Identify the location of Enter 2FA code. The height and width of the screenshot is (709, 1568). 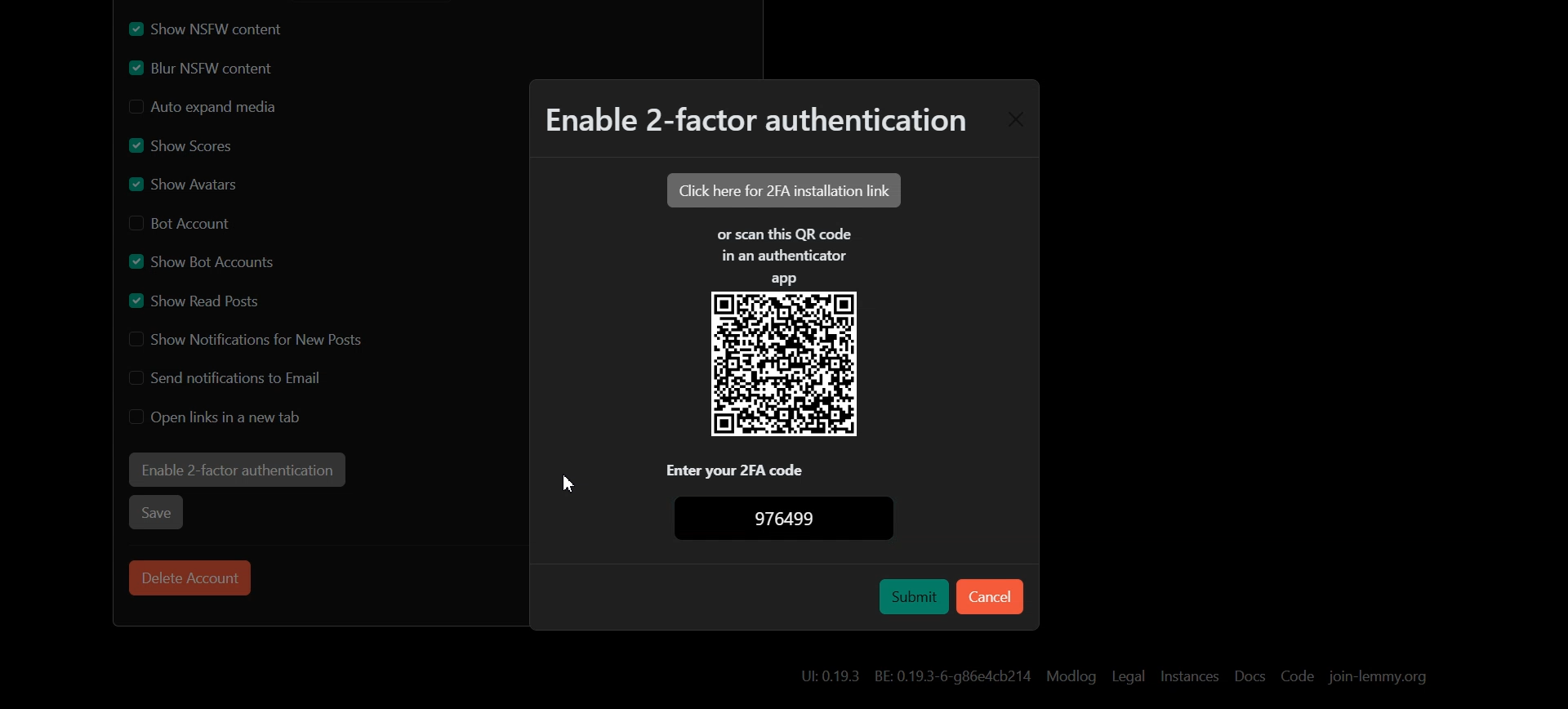
(786, 469).